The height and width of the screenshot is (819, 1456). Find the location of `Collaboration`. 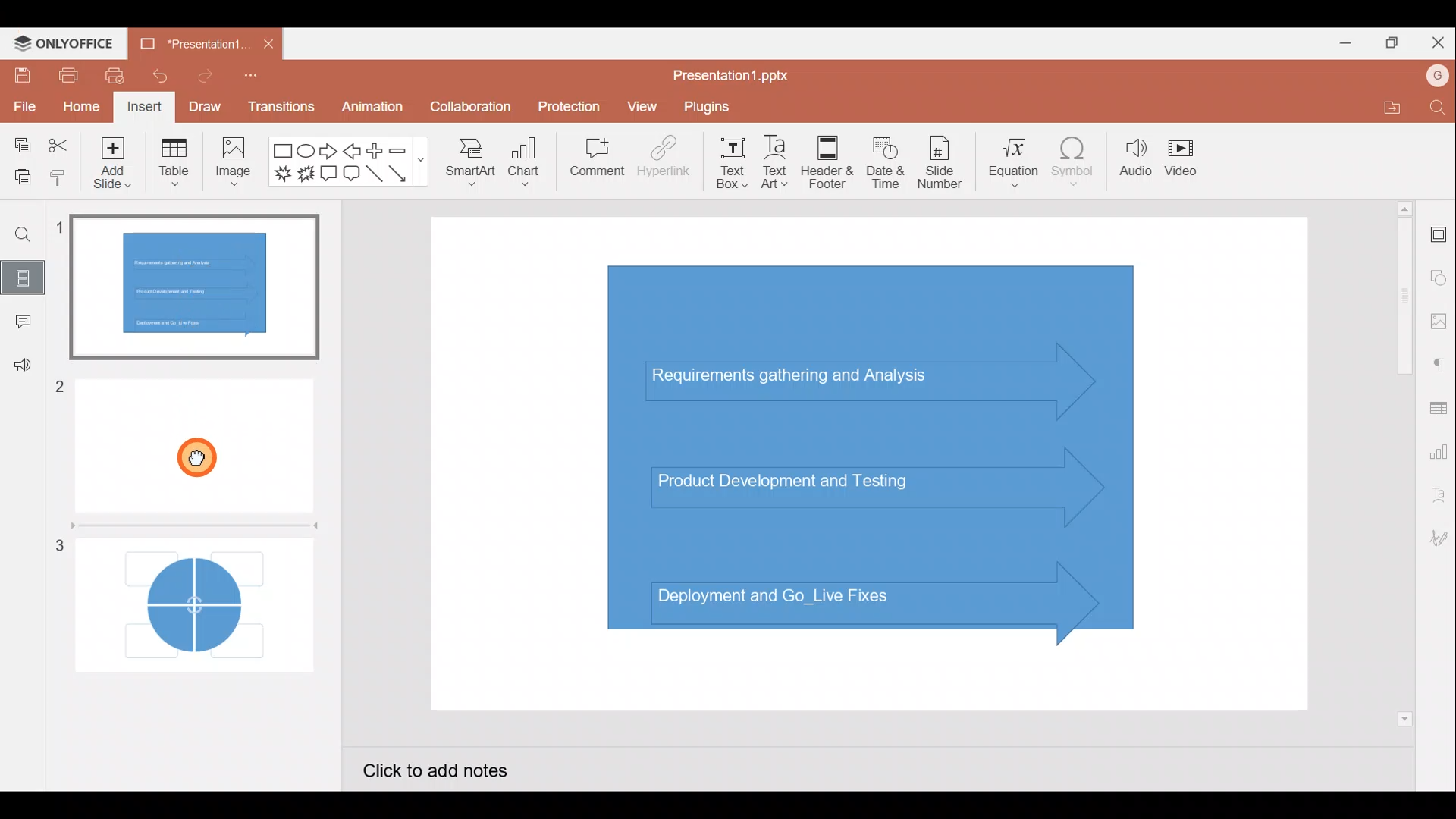

Collaboration is located at coordinates (469, 107).